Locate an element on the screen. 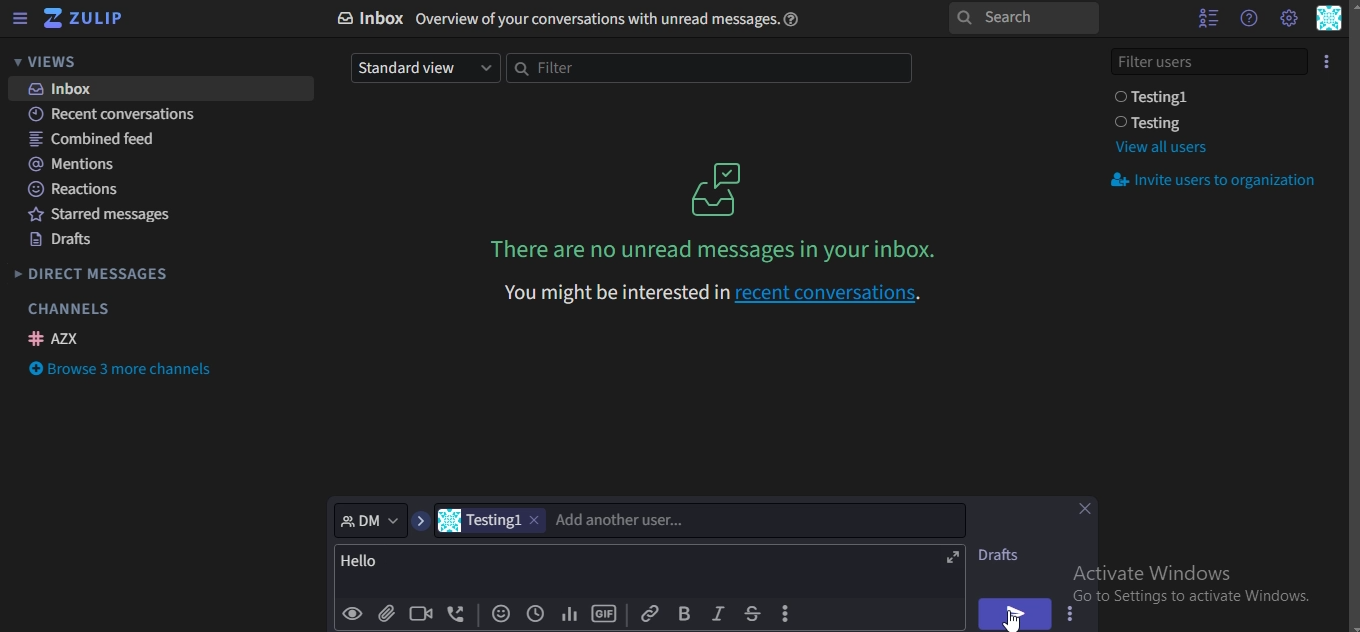 This screenshot has height=632, width=1360. recent conversations is located at coordinates (125, 116).